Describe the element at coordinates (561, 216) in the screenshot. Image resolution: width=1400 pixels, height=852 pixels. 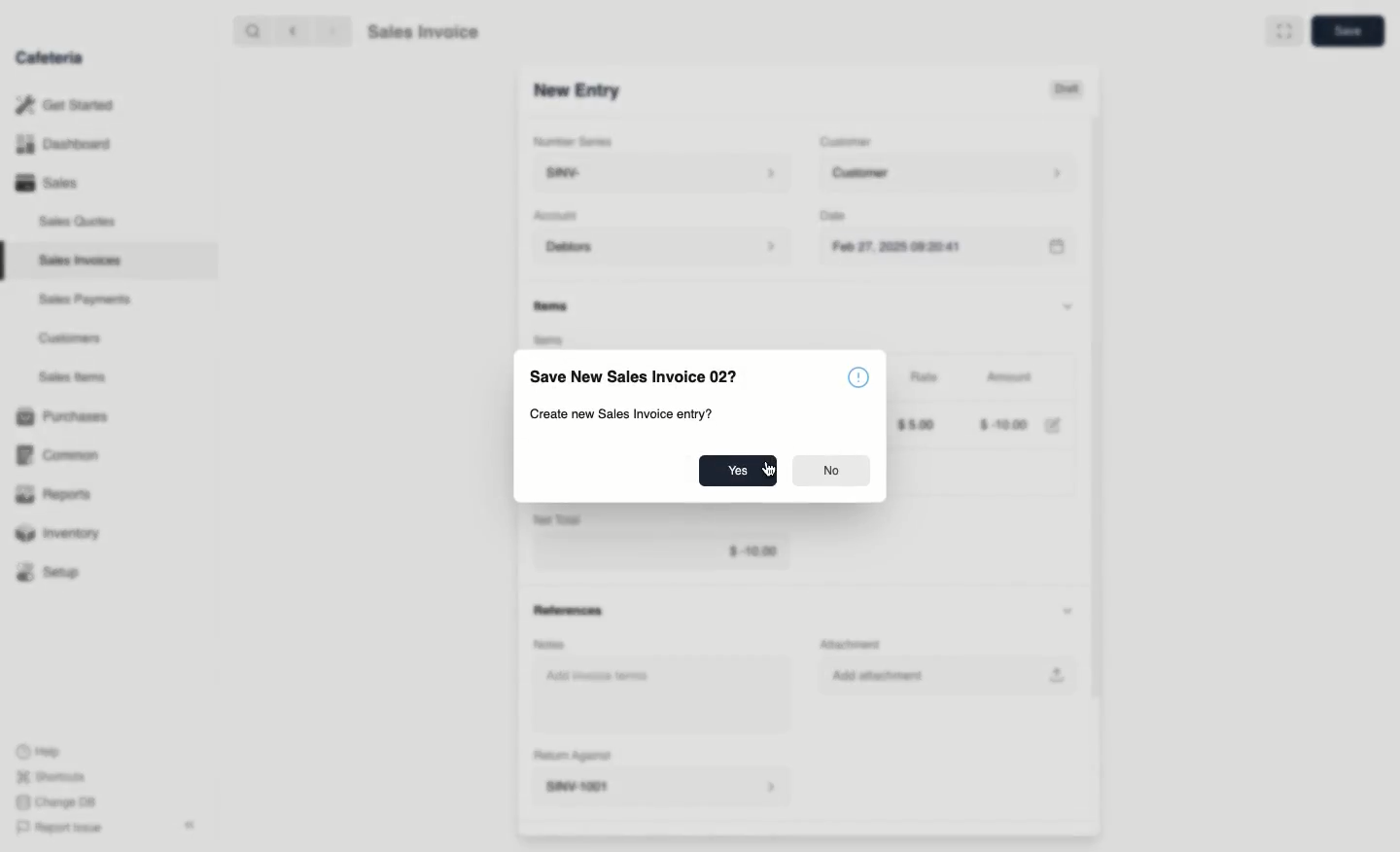
I see `Account` at that location.